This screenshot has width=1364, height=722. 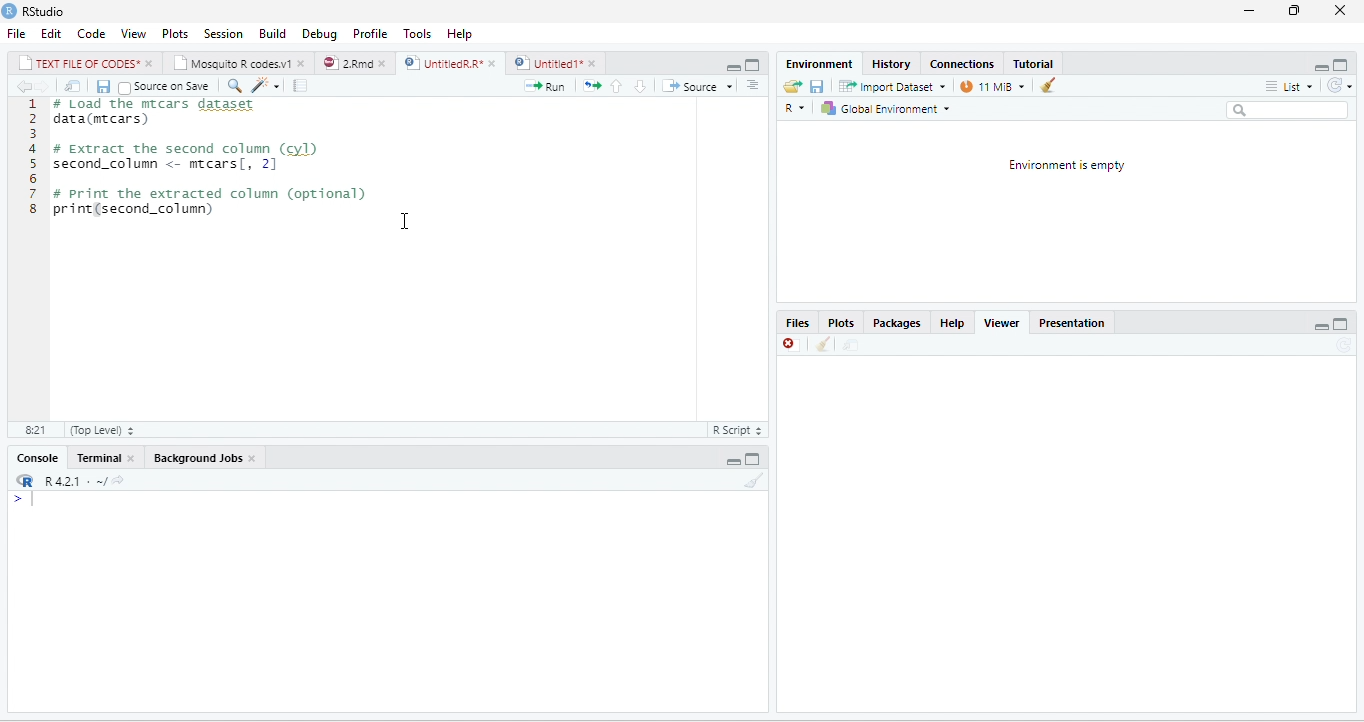 What do you see at coordinates (73, 86) in the screenshot?
I see `move` at bounding box center [73, 86].